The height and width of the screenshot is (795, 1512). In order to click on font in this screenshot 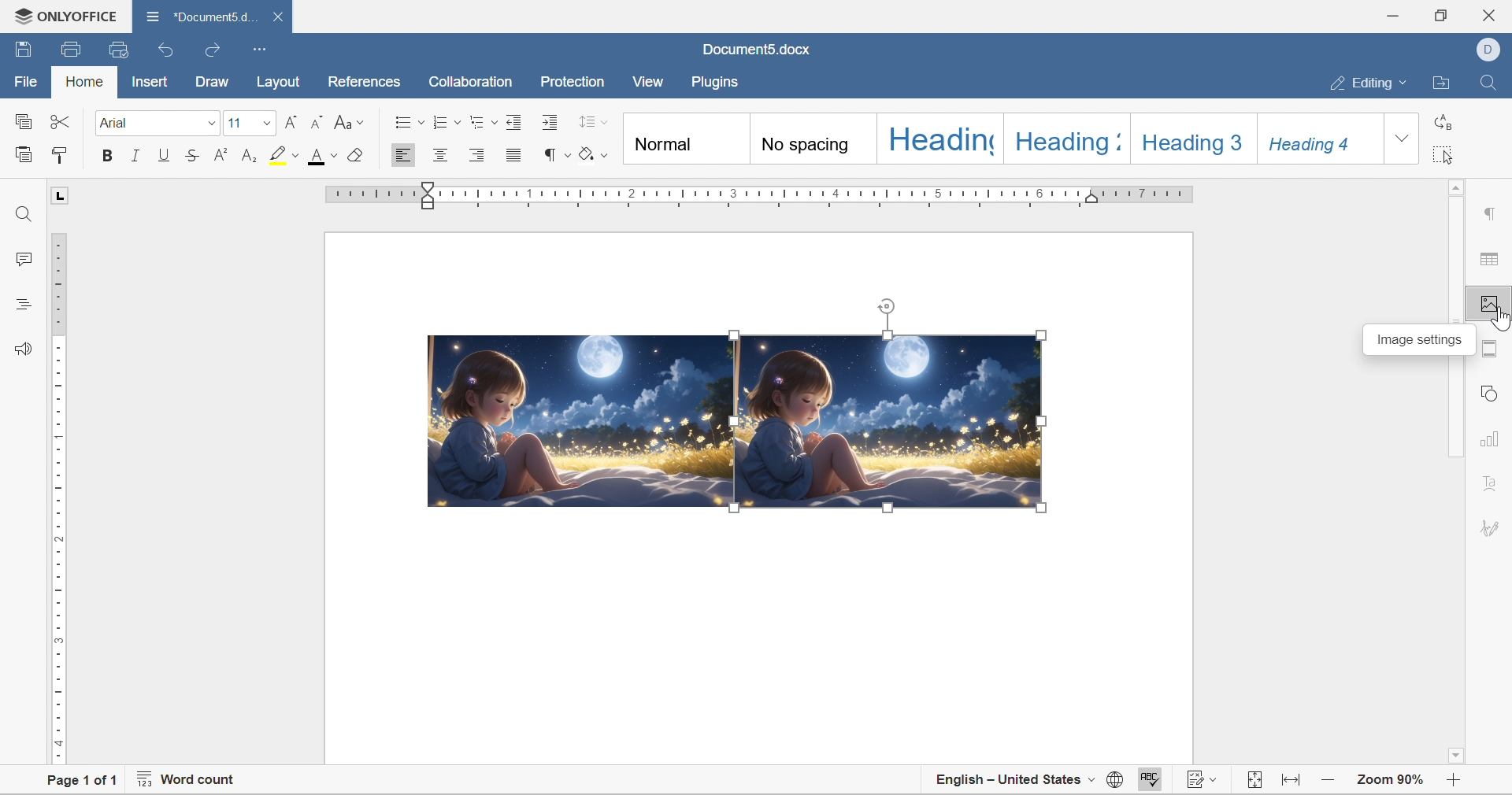, I will do `click(118, 122)`.